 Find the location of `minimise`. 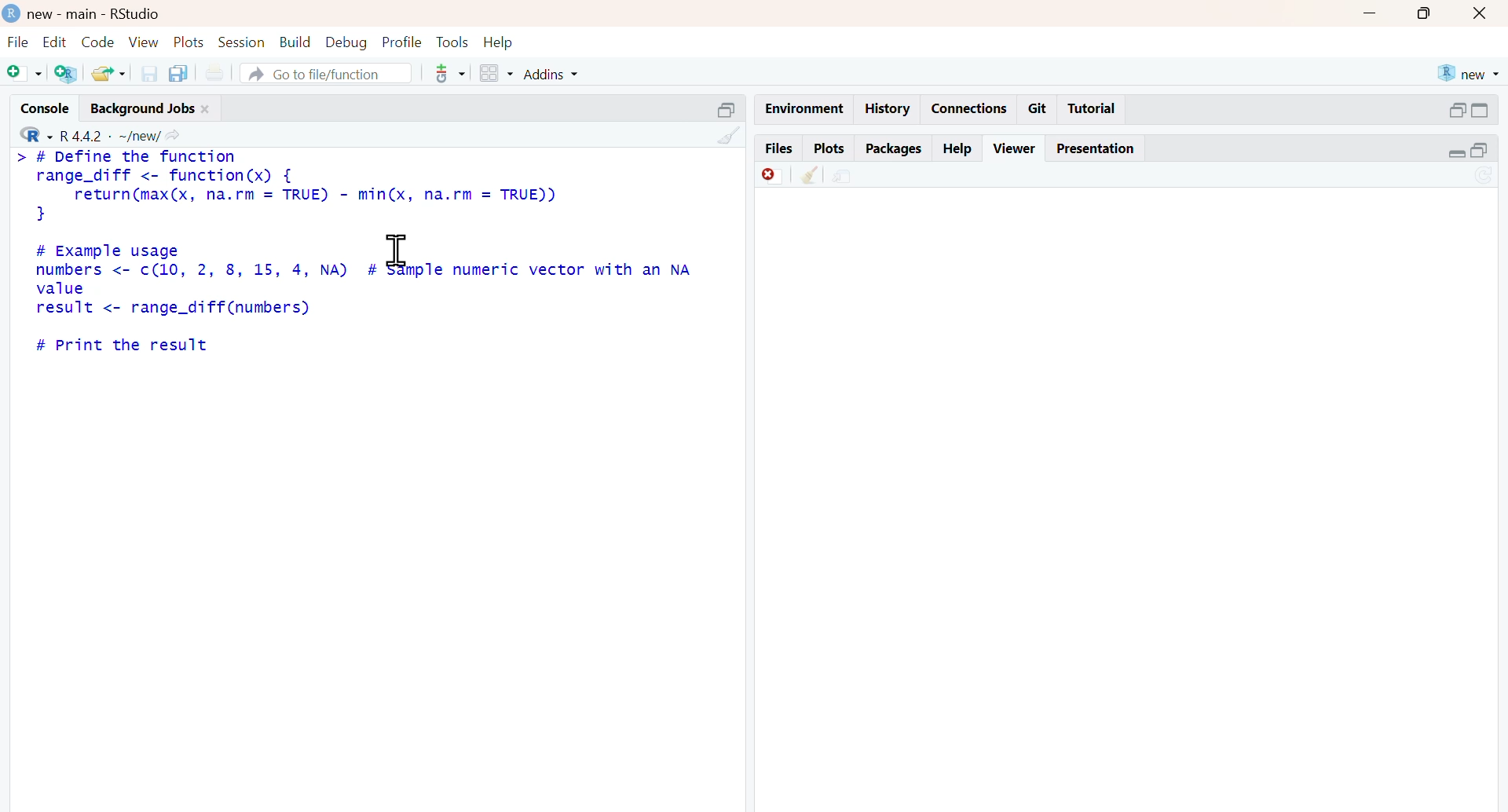

minimise is located at coordinates (1371, 13).